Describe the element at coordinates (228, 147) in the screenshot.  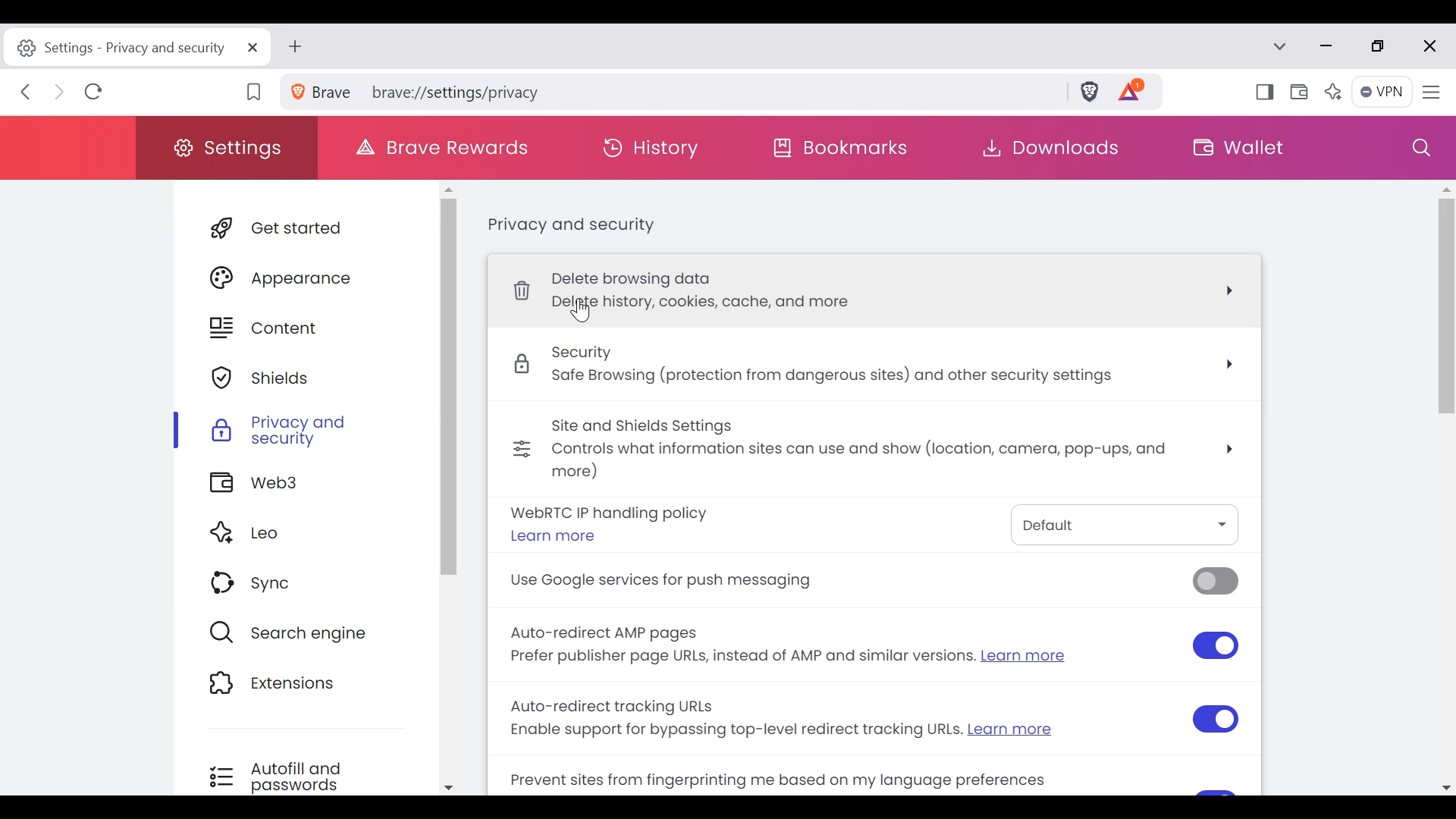
I see `Settings` at that location.